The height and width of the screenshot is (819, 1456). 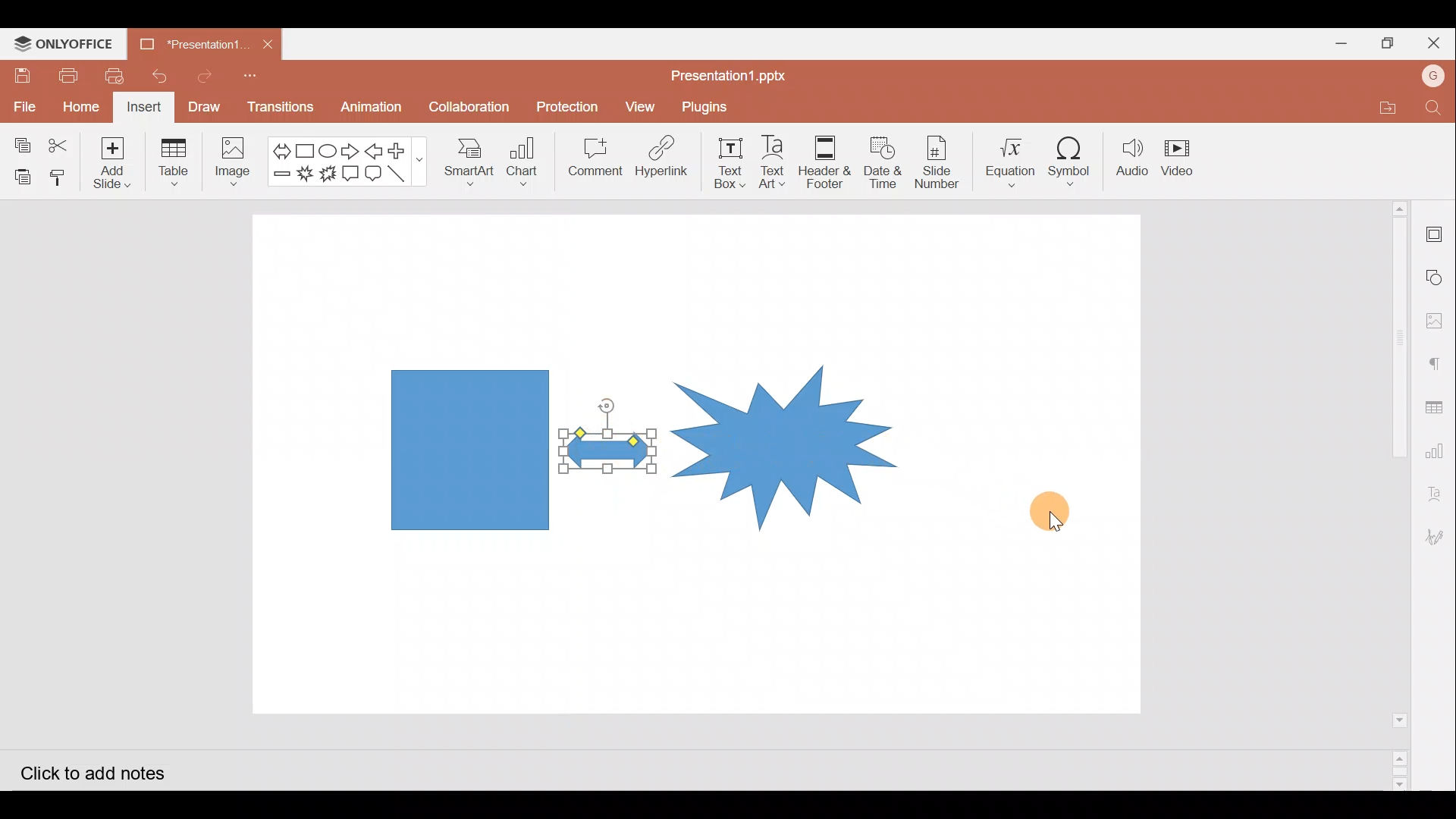 I want to click on Date & time, so click(x=883, y=162).